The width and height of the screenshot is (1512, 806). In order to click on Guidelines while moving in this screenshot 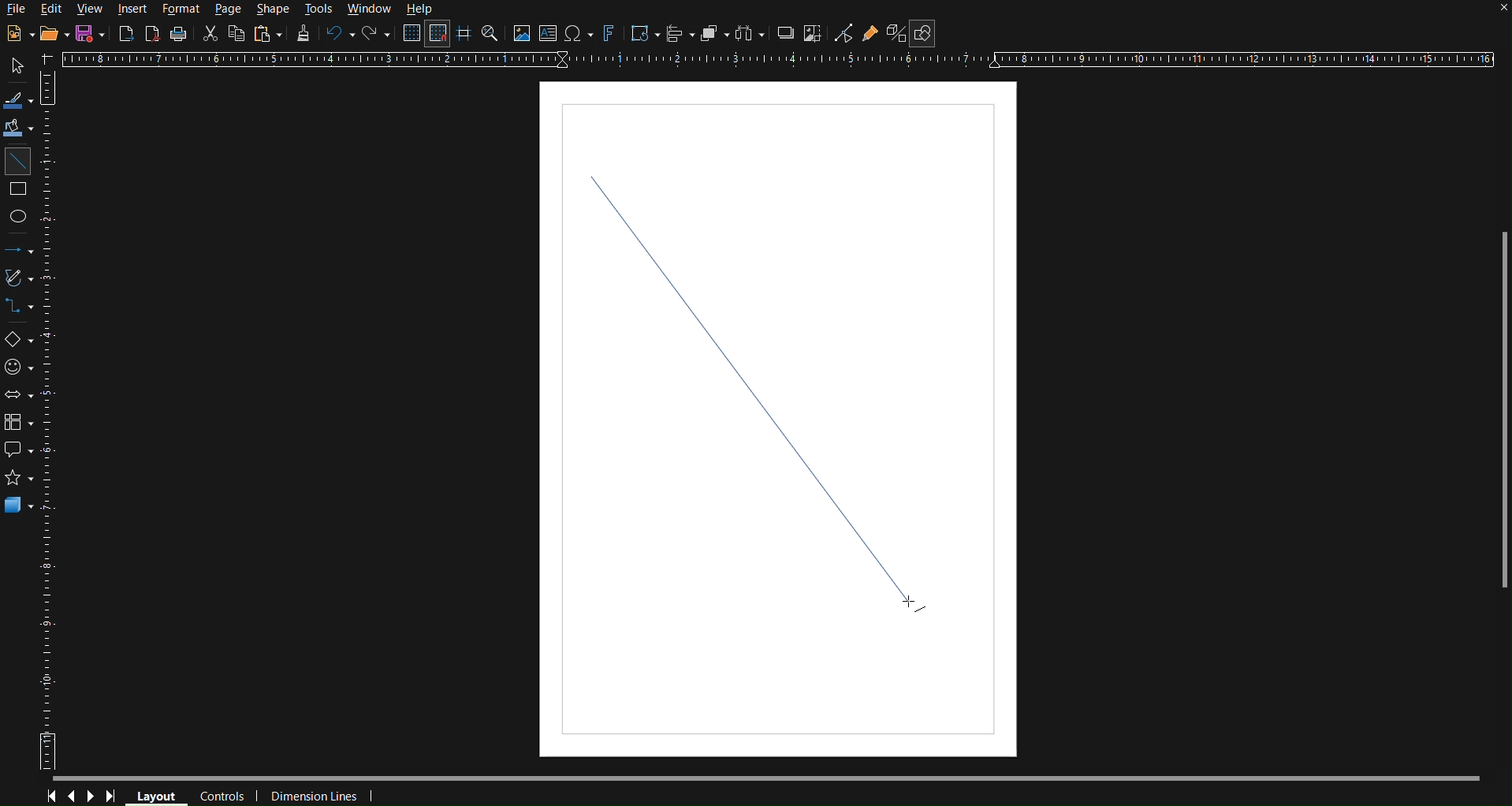, I will do `click(465, 33)`.